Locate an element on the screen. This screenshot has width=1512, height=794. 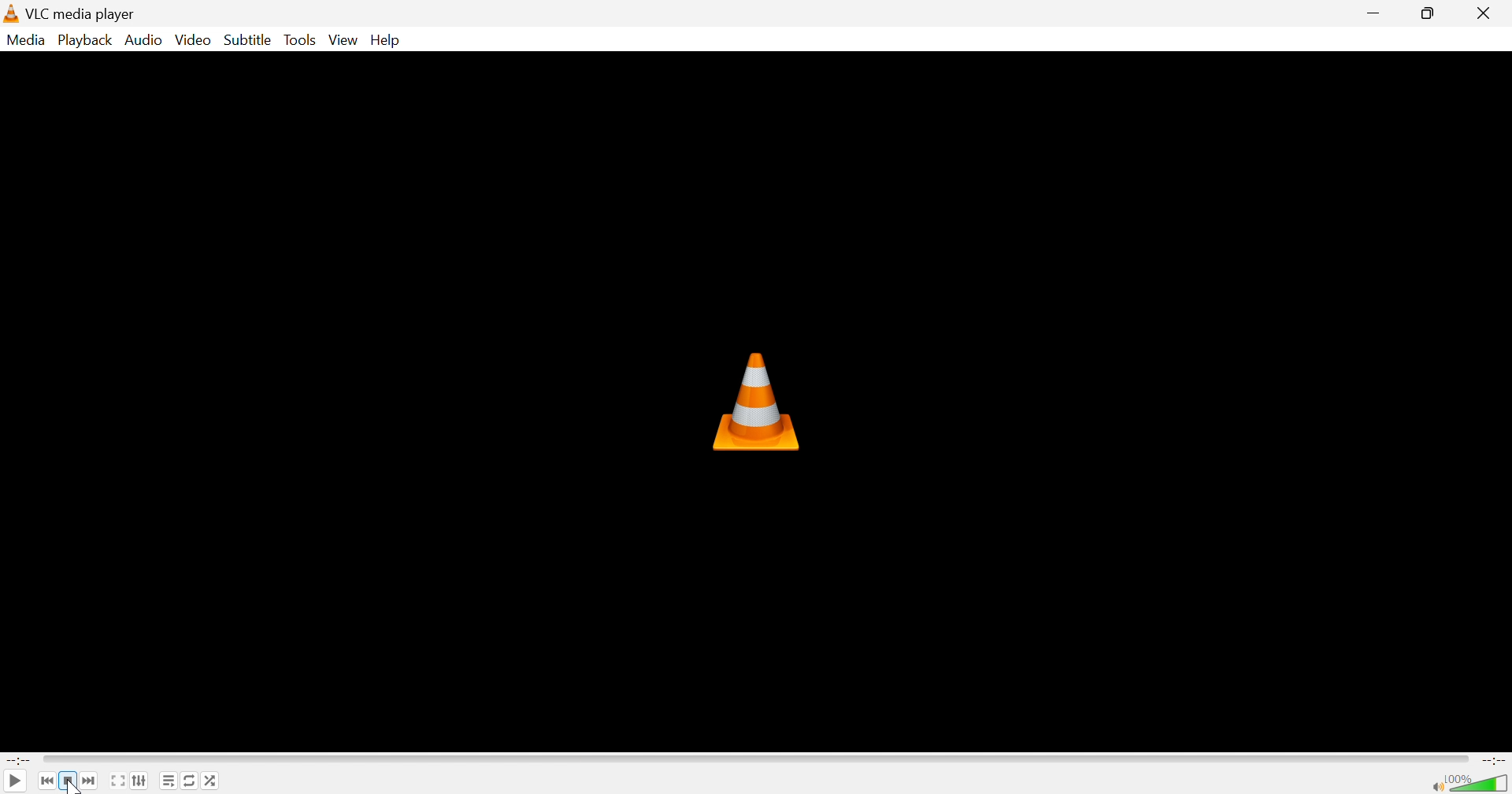
Audio is located at coordinates (144, 39).